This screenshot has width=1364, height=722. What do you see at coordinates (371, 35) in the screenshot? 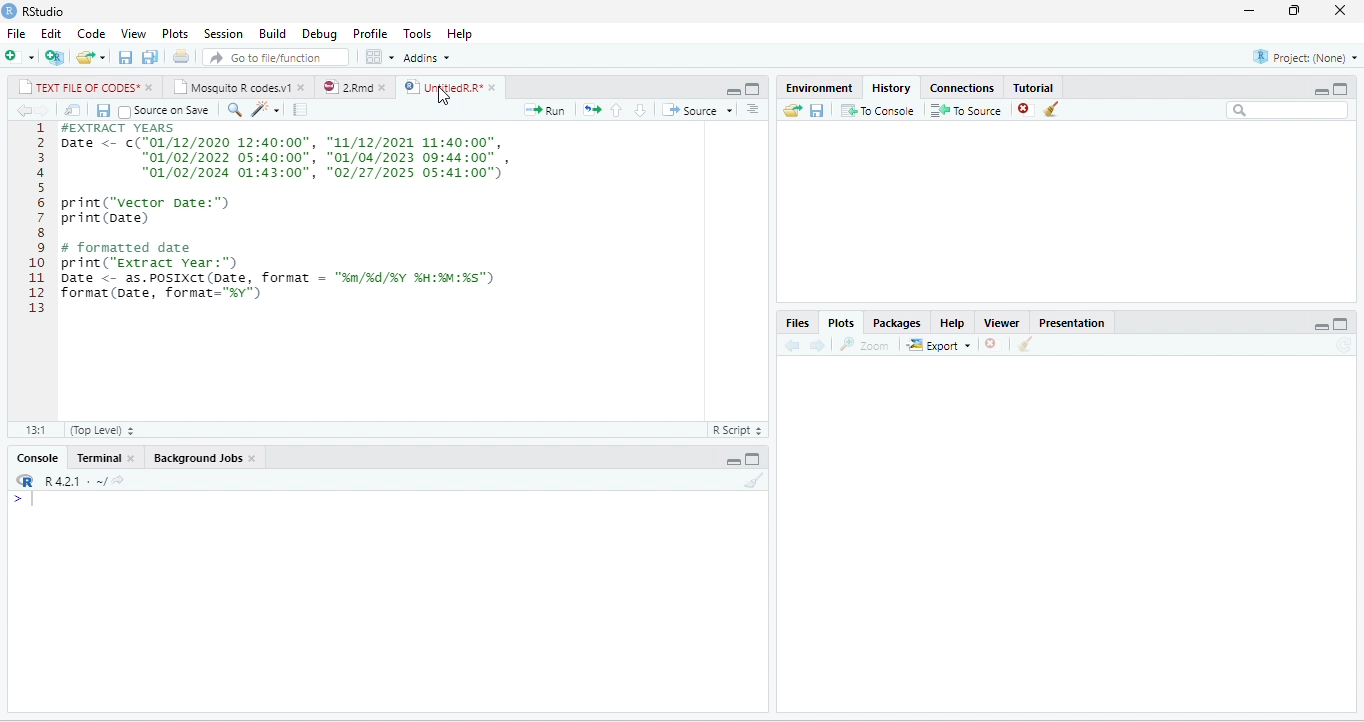
I see `Profile` at bounding box center [371, 35].